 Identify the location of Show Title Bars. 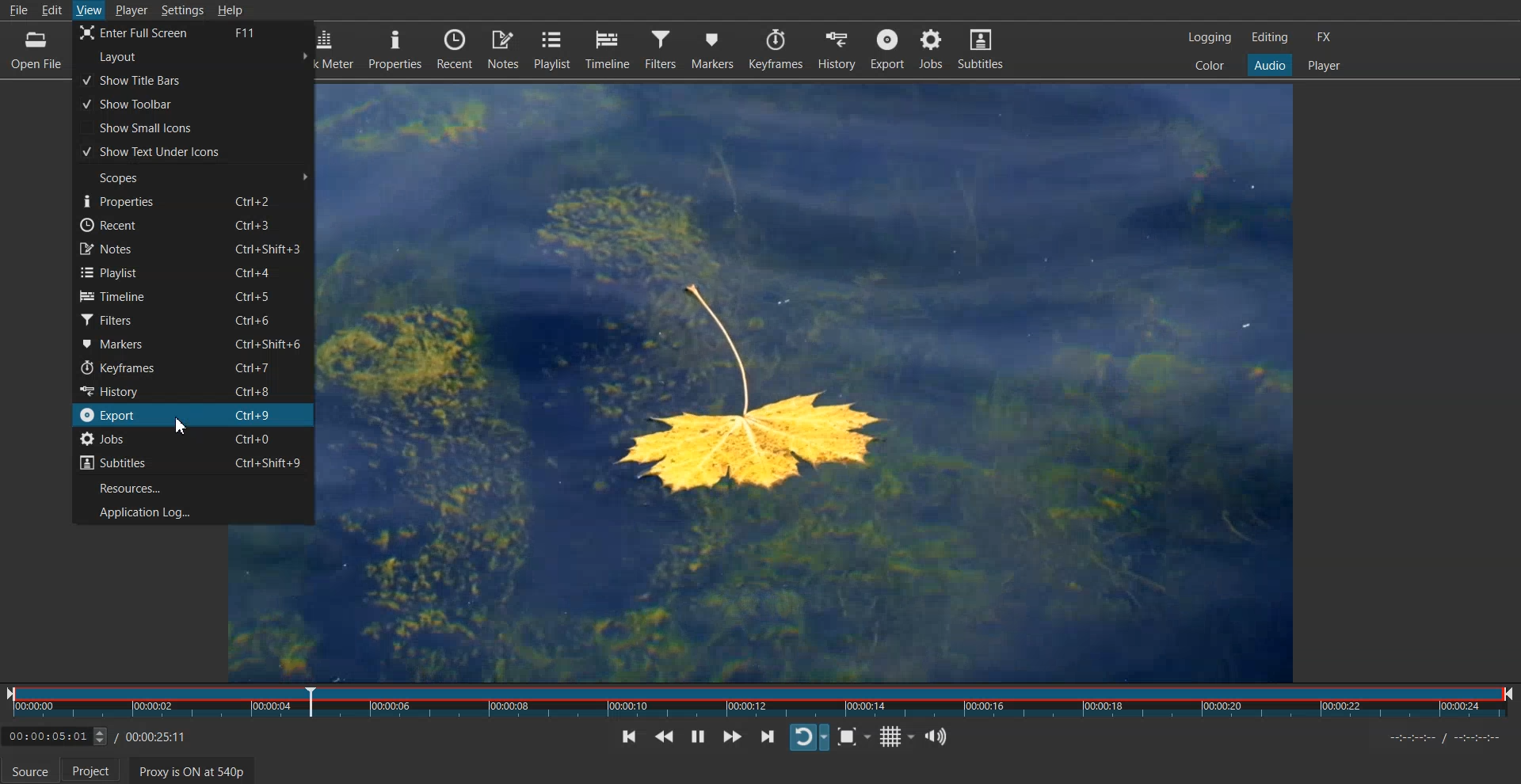
(193, 79).